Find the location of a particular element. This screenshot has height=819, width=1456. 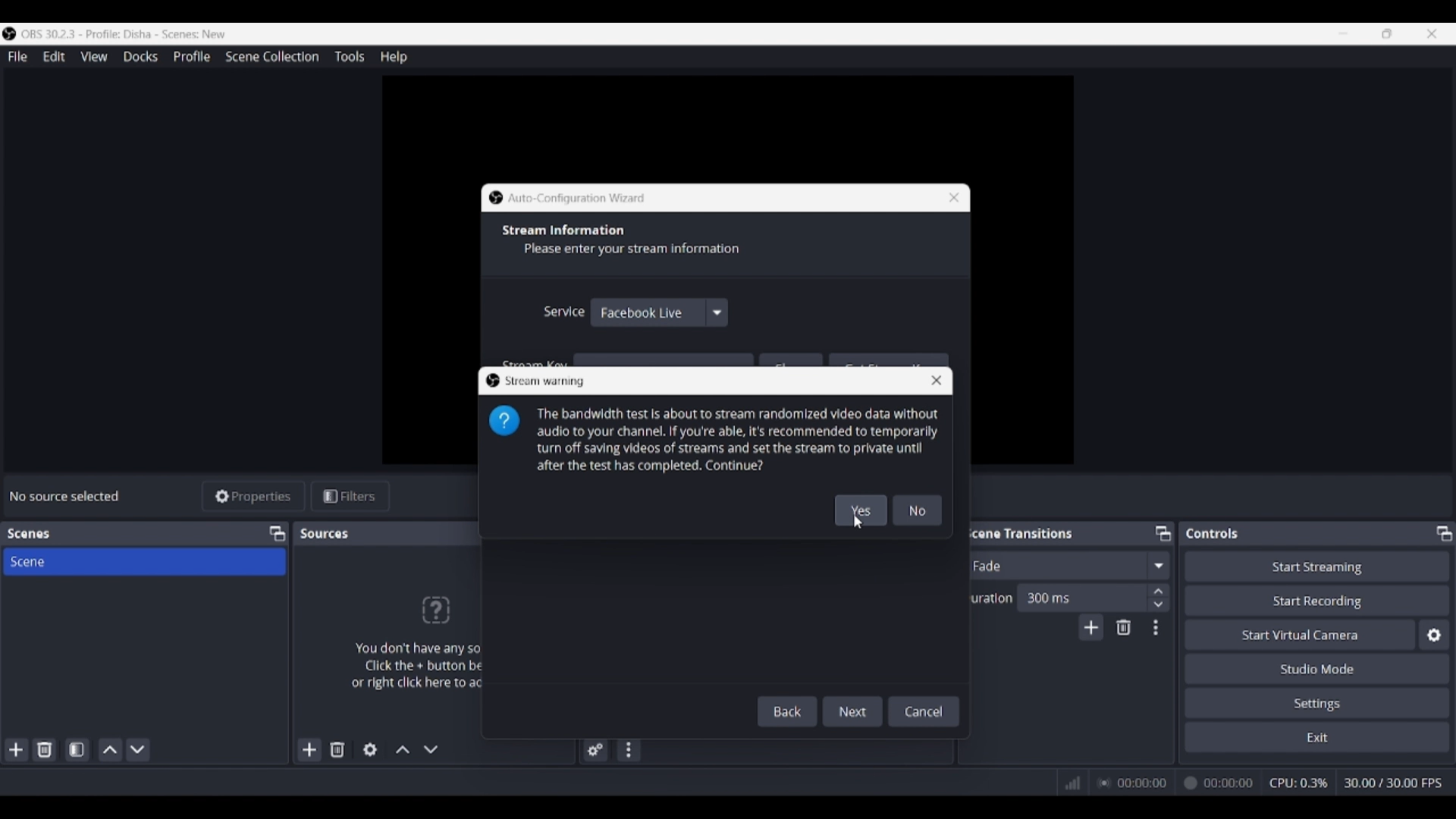

Start recording is located at coordinates (1318, 600).